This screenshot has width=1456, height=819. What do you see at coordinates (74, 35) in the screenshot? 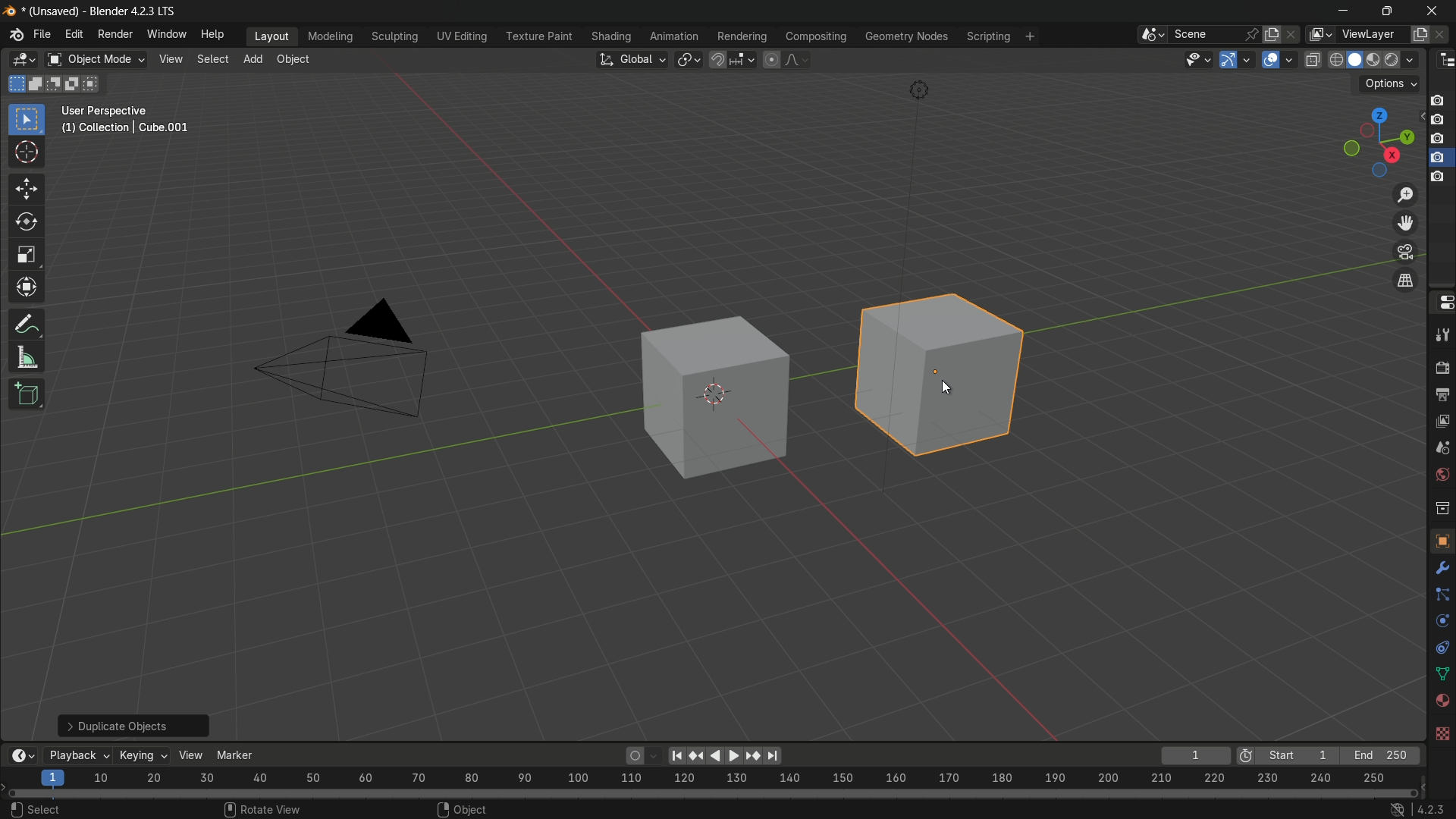
I see `edit menu` at bounding box center [74, 35].